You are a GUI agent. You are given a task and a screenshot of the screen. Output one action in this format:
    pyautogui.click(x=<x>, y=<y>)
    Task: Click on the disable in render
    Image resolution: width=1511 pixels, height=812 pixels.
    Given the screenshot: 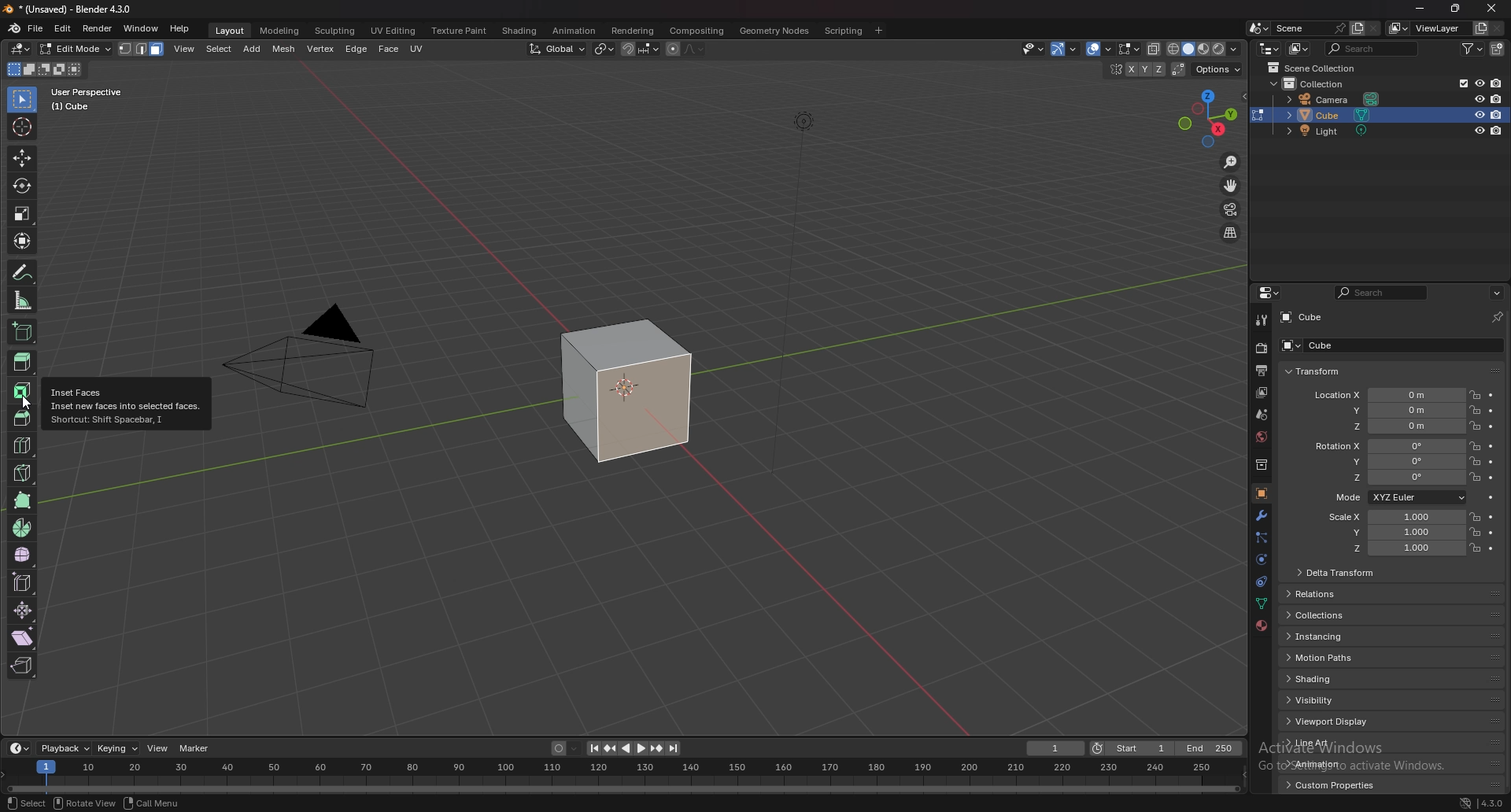 What is the action you would take?
    pyautogui.click(x=1498, y=98)
    